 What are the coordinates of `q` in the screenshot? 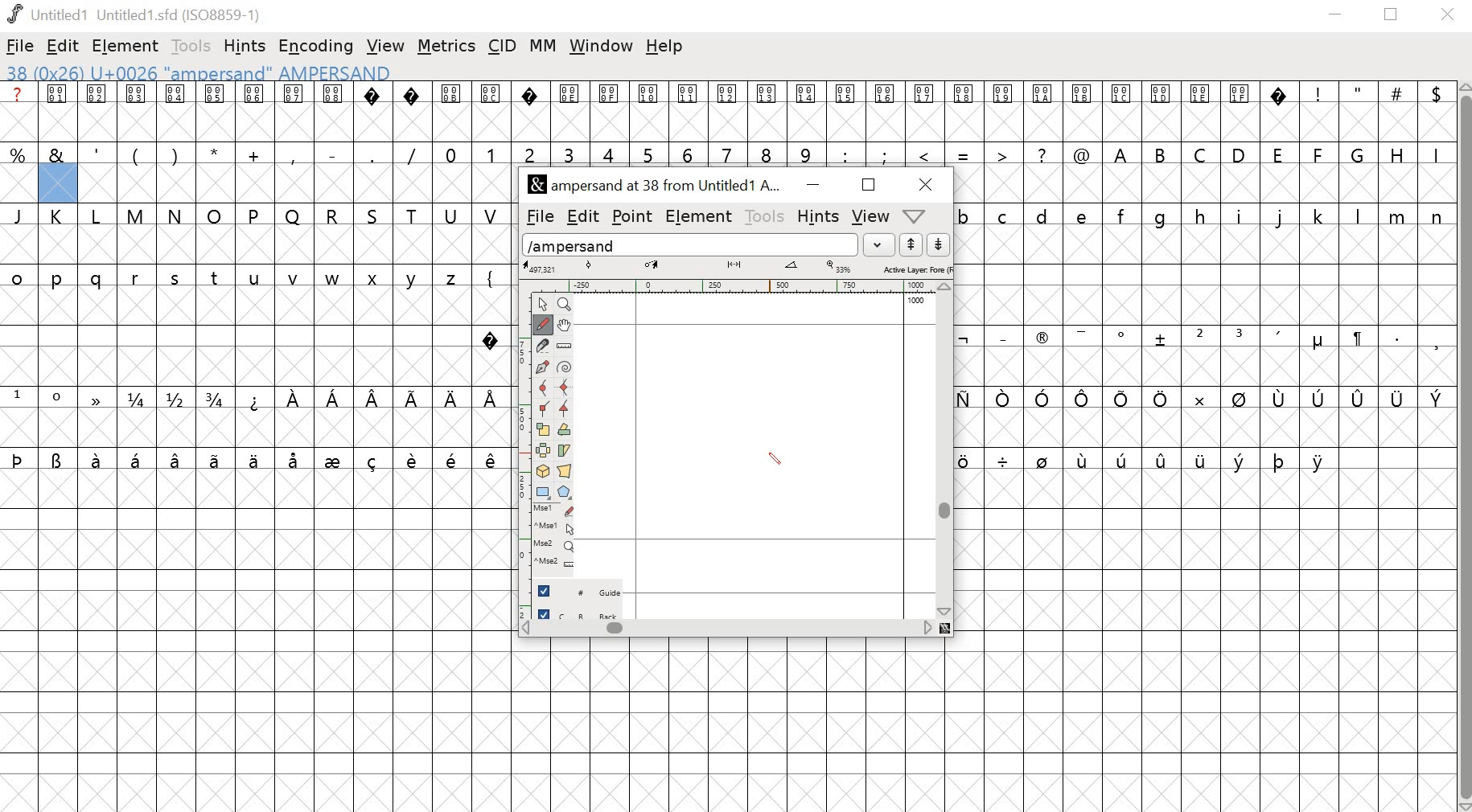 It's located at (100, 280).